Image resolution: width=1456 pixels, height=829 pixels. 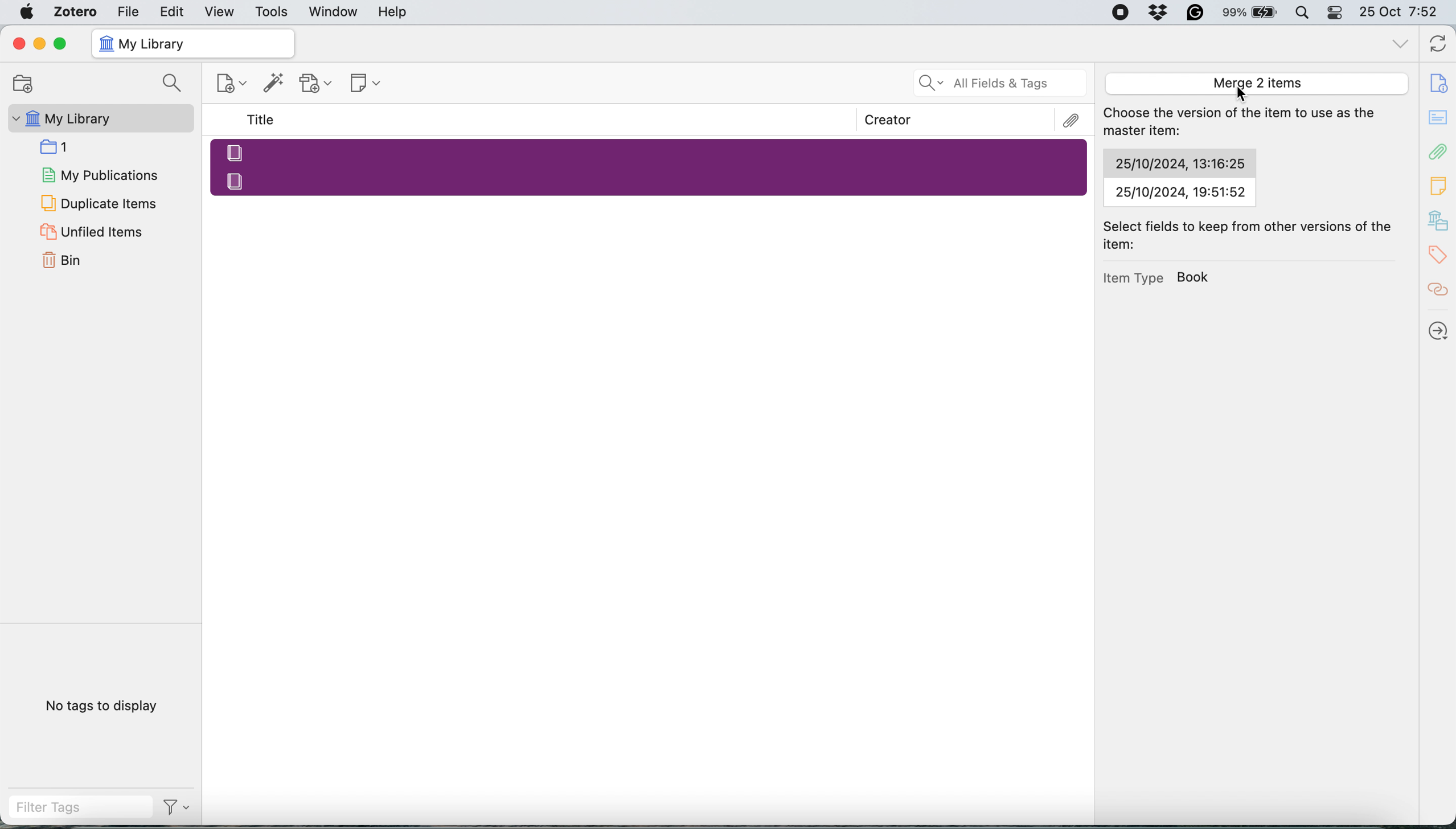 What do you see at coordinates (60, 44) in the screenshot?
I see `Maximize` at bounding box center [60, 44].